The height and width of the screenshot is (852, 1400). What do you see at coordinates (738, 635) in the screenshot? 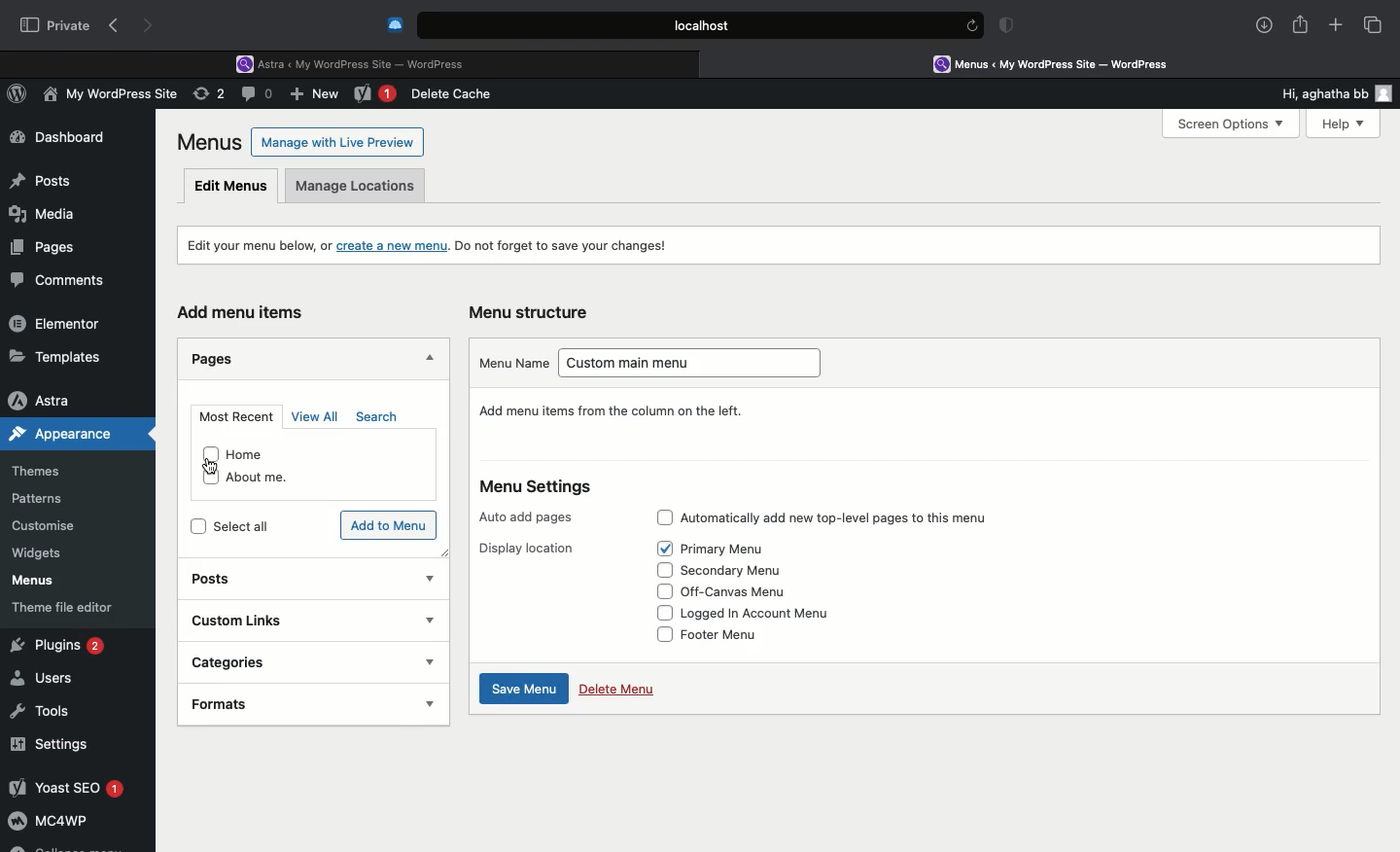
I see `Footer menu` at bounding box center [738, 635].